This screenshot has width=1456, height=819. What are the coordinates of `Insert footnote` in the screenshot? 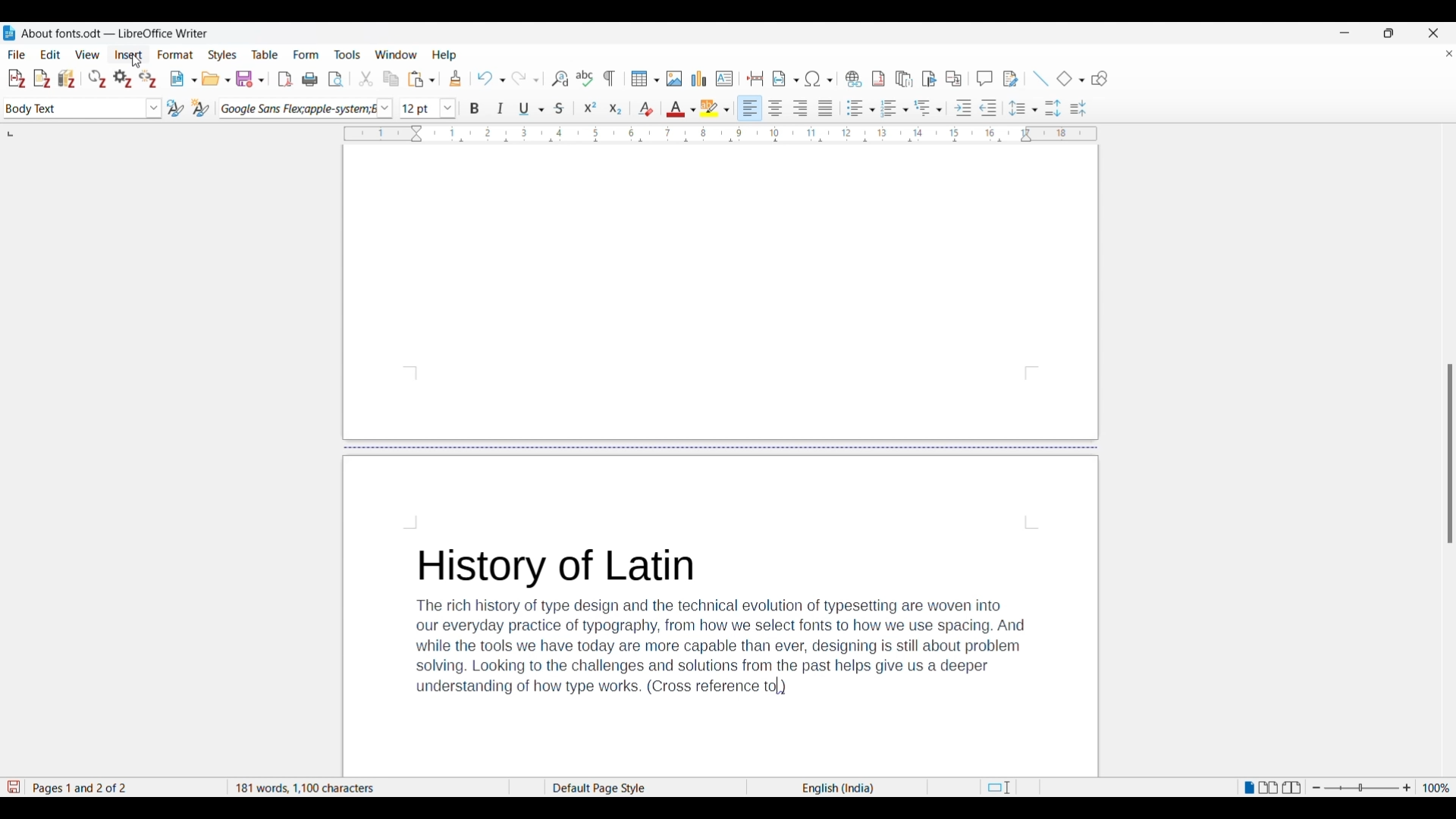 It's located at (877, 79).